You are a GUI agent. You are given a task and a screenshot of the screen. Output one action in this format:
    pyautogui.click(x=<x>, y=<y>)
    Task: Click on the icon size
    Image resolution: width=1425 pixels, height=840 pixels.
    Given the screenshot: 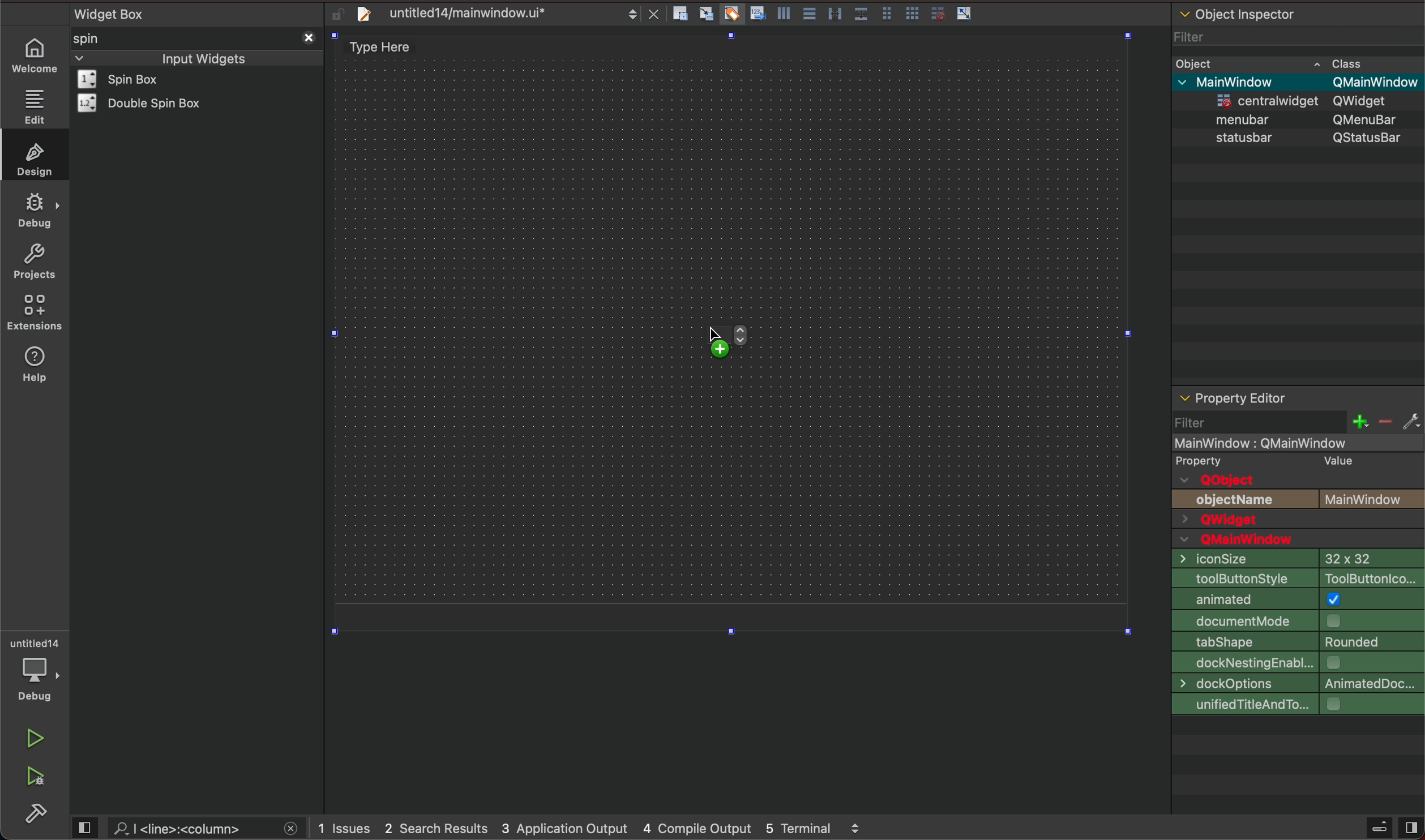 What is the action you would take?
    pyautogui.click(x=1294, y=558)
    